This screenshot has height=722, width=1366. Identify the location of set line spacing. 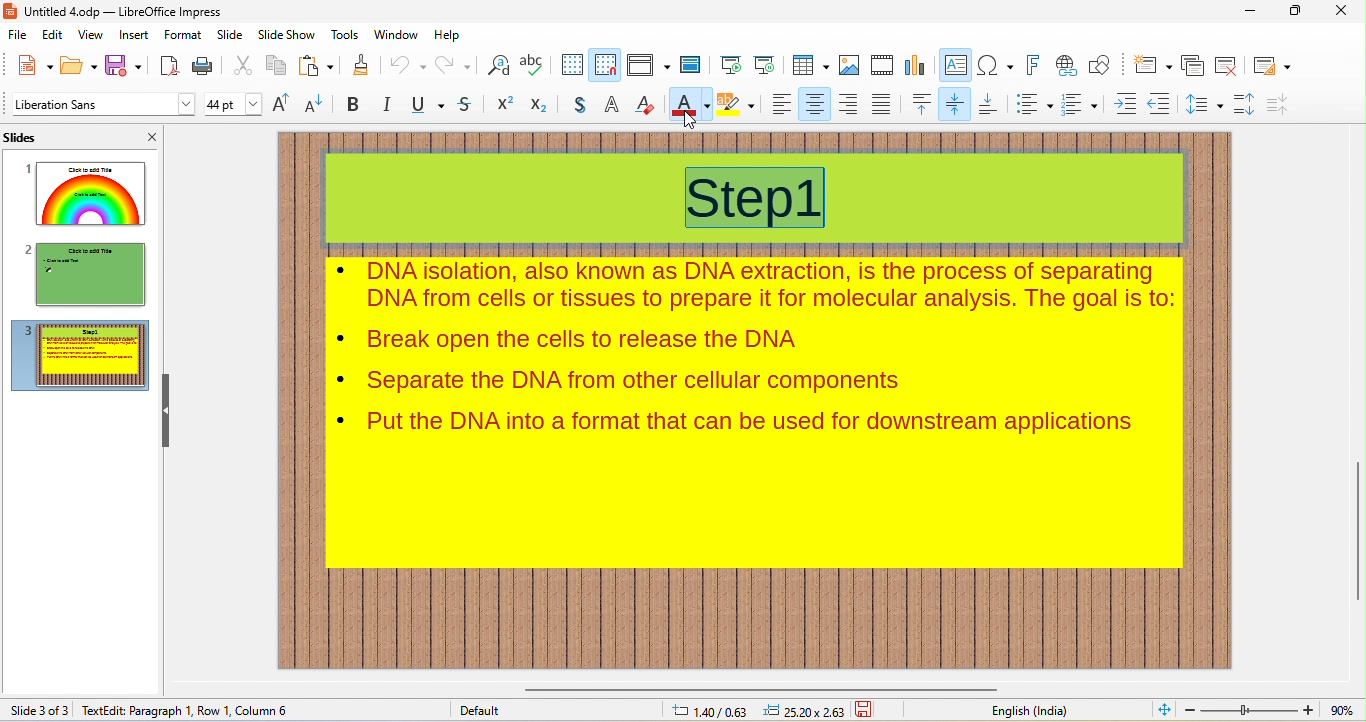
(1206, 104).